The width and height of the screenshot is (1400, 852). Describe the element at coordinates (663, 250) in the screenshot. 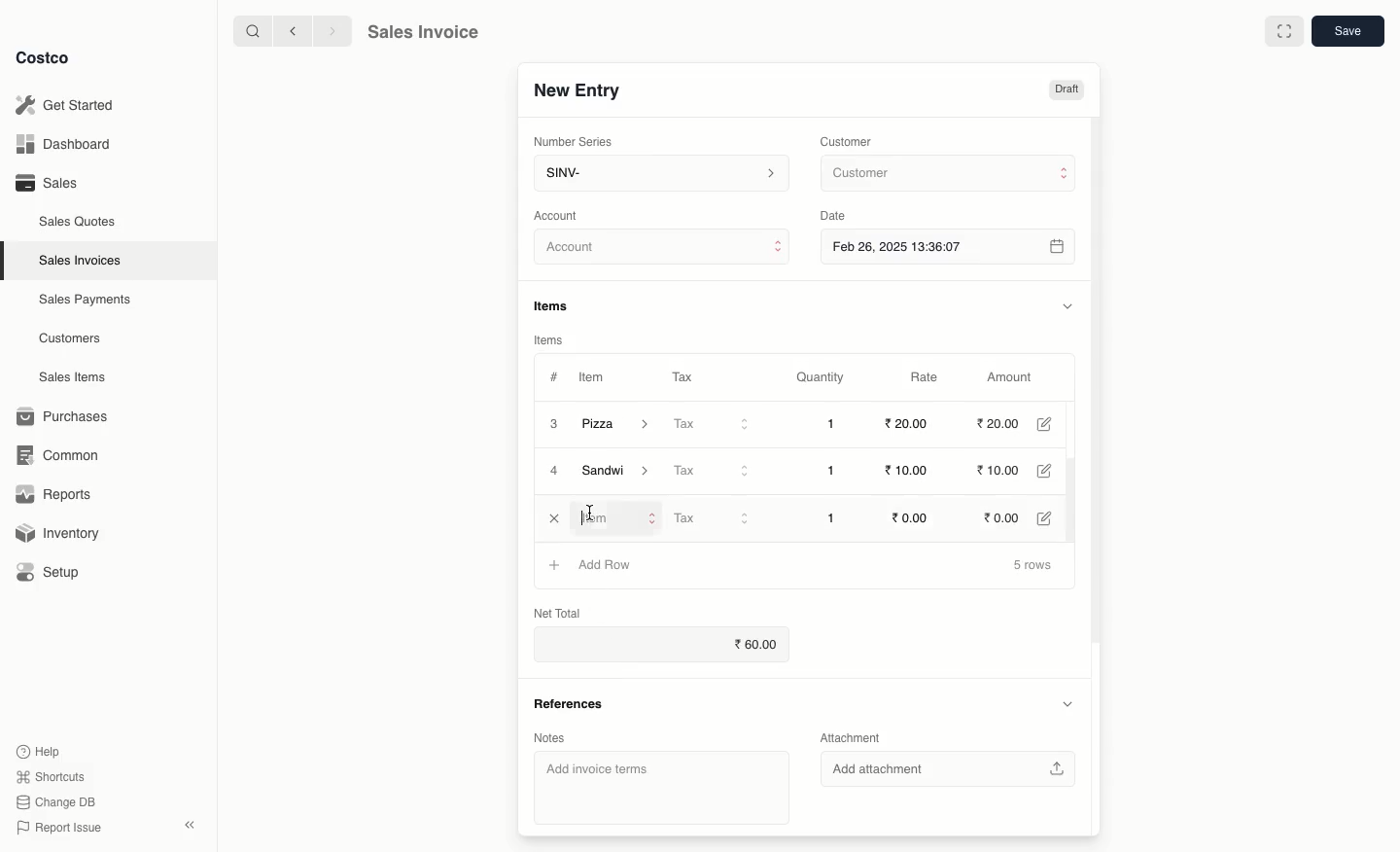

I see `Account` at that location.